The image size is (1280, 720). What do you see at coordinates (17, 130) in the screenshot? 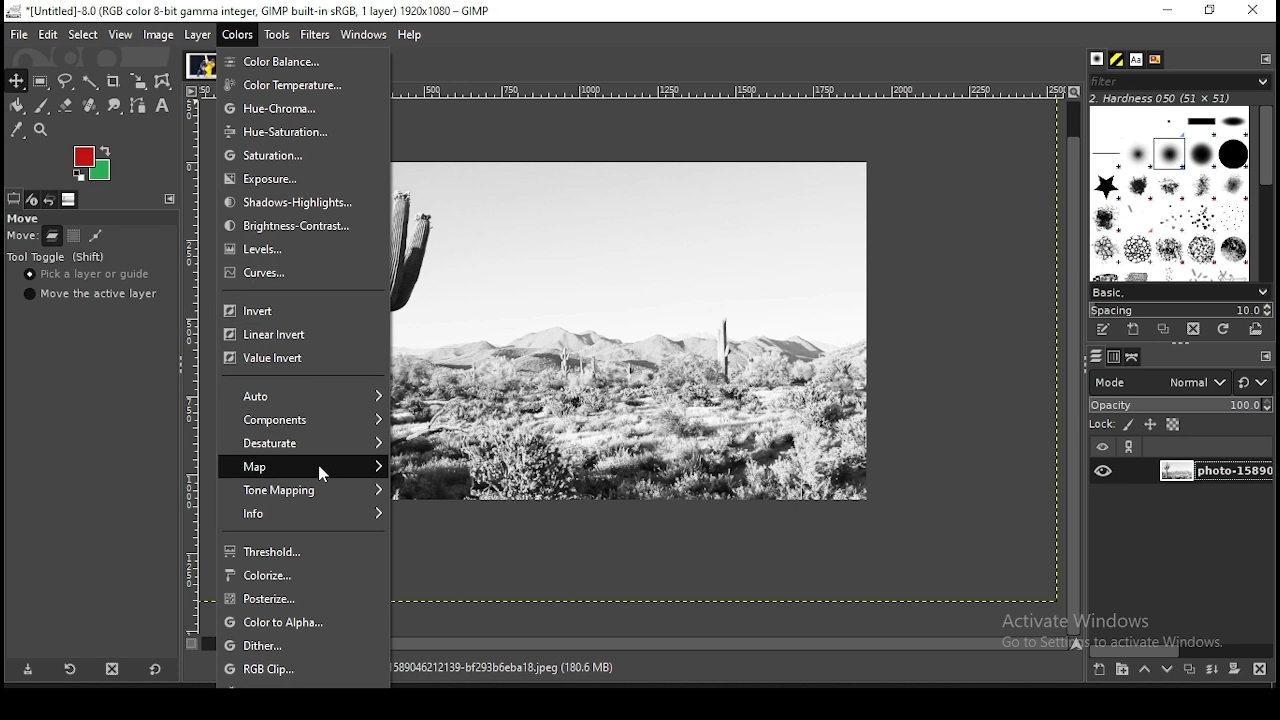
I see `color picker tool` at bounding box center [17, 130].